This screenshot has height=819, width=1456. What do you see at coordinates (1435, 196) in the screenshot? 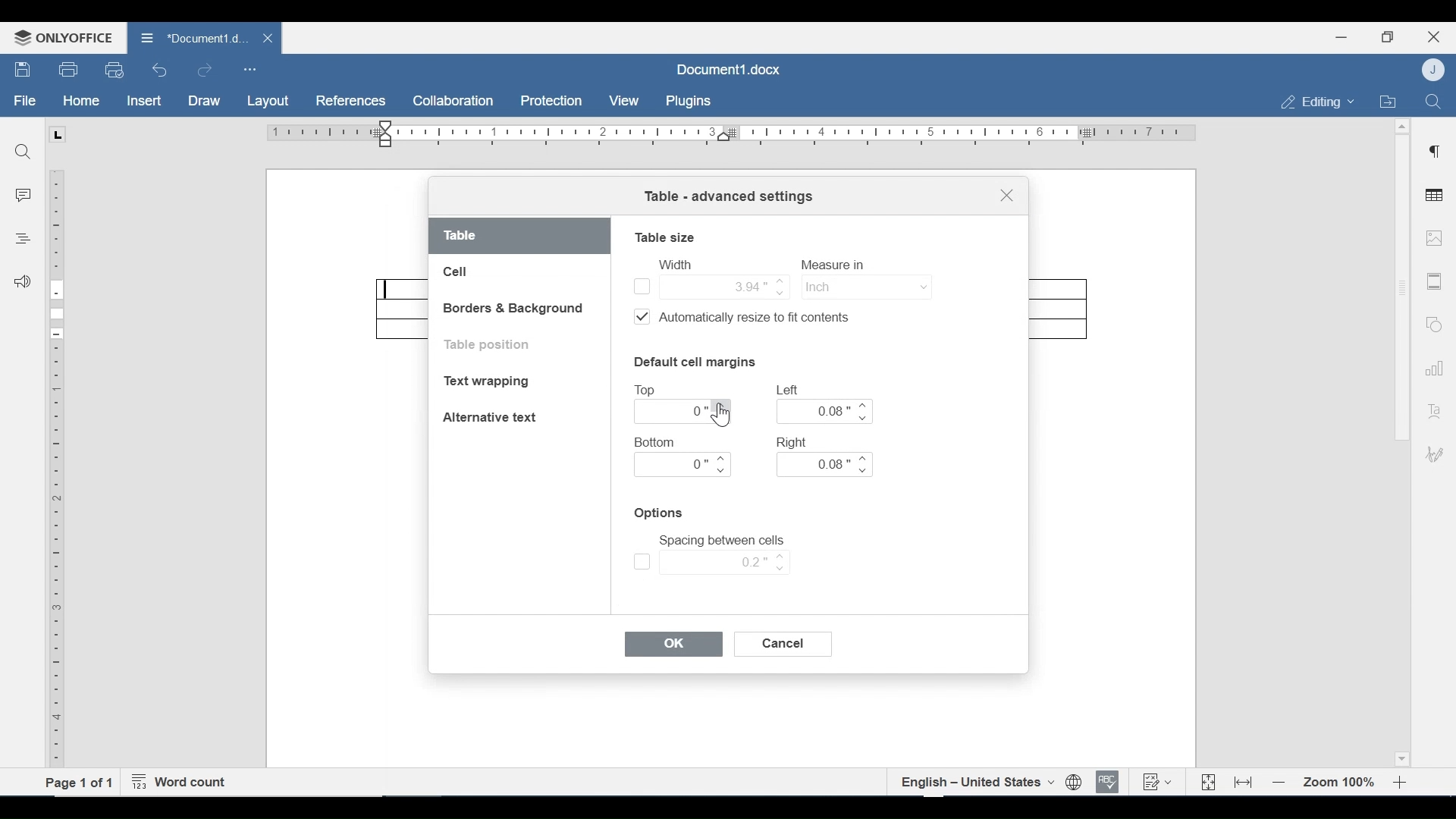
I see `Table Settings` at bounding box center [1435, 196].